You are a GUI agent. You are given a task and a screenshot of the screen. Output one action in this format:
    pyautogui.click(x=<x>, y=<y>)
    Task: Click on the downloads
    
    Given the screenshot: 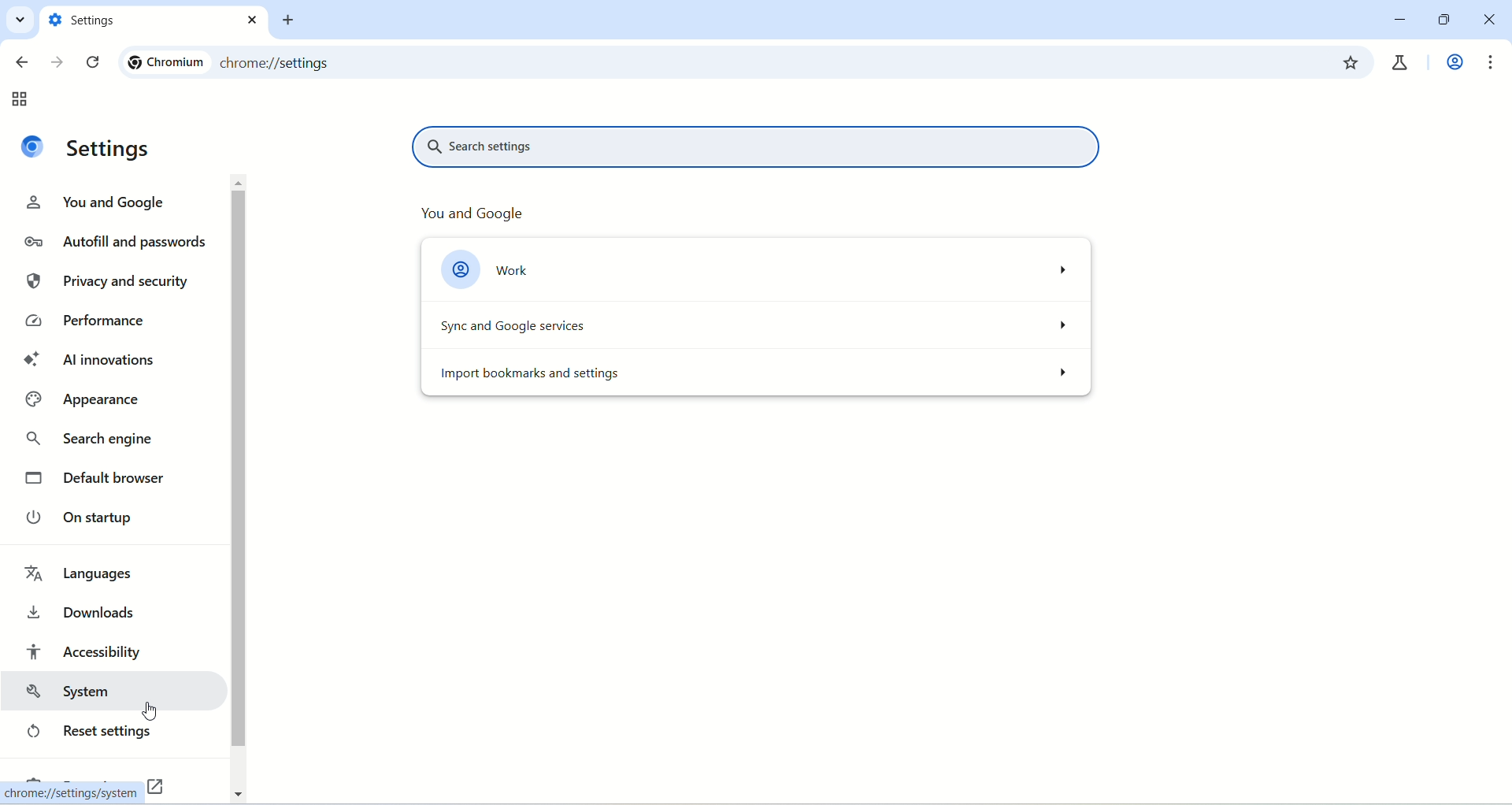 What is the action you would take?
    pyautogui.click(x=87, y=610)
    